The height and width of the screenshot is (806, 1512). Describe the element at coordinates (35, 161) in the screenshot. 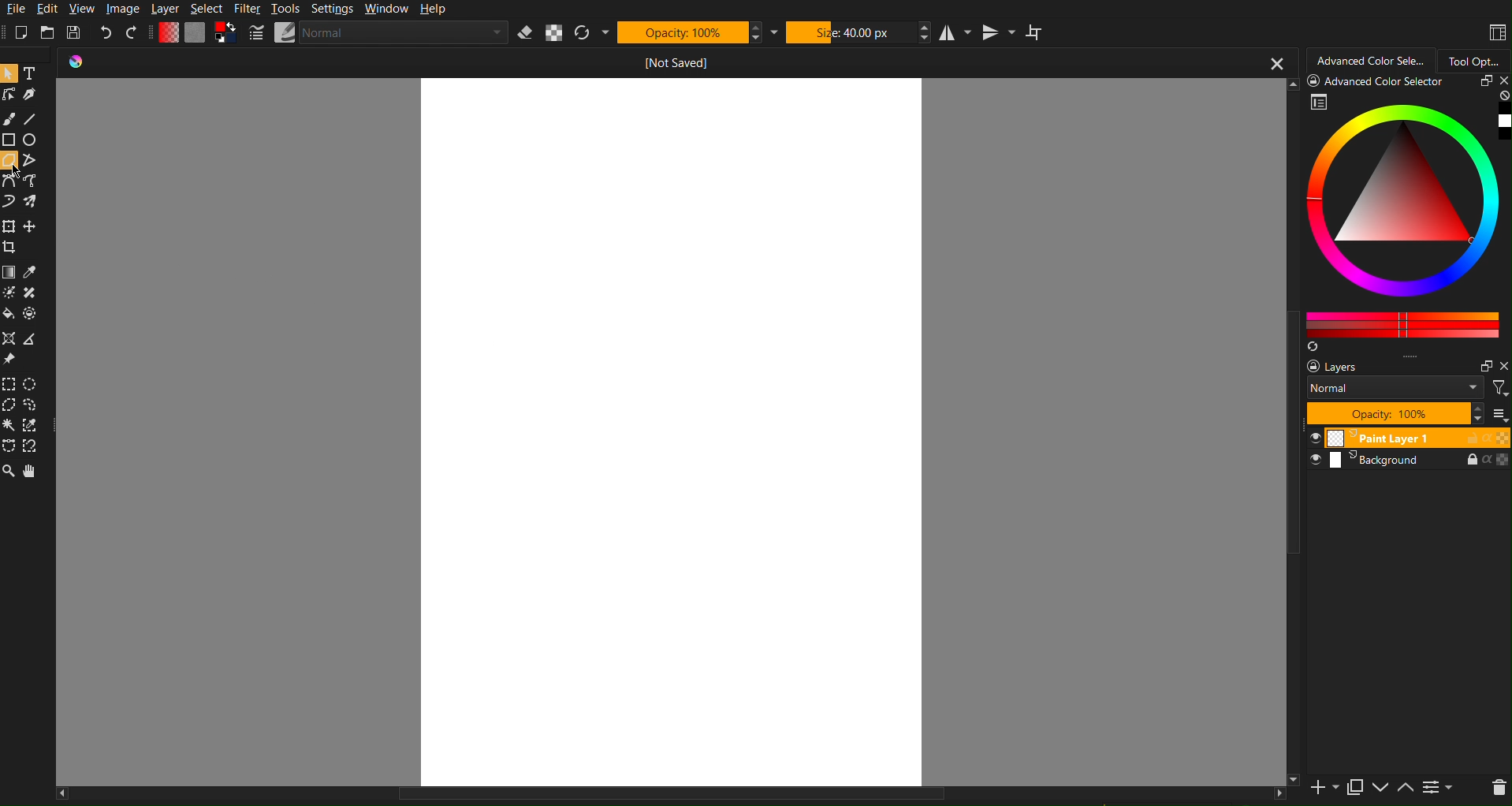

I see `polyline tool` at that location.